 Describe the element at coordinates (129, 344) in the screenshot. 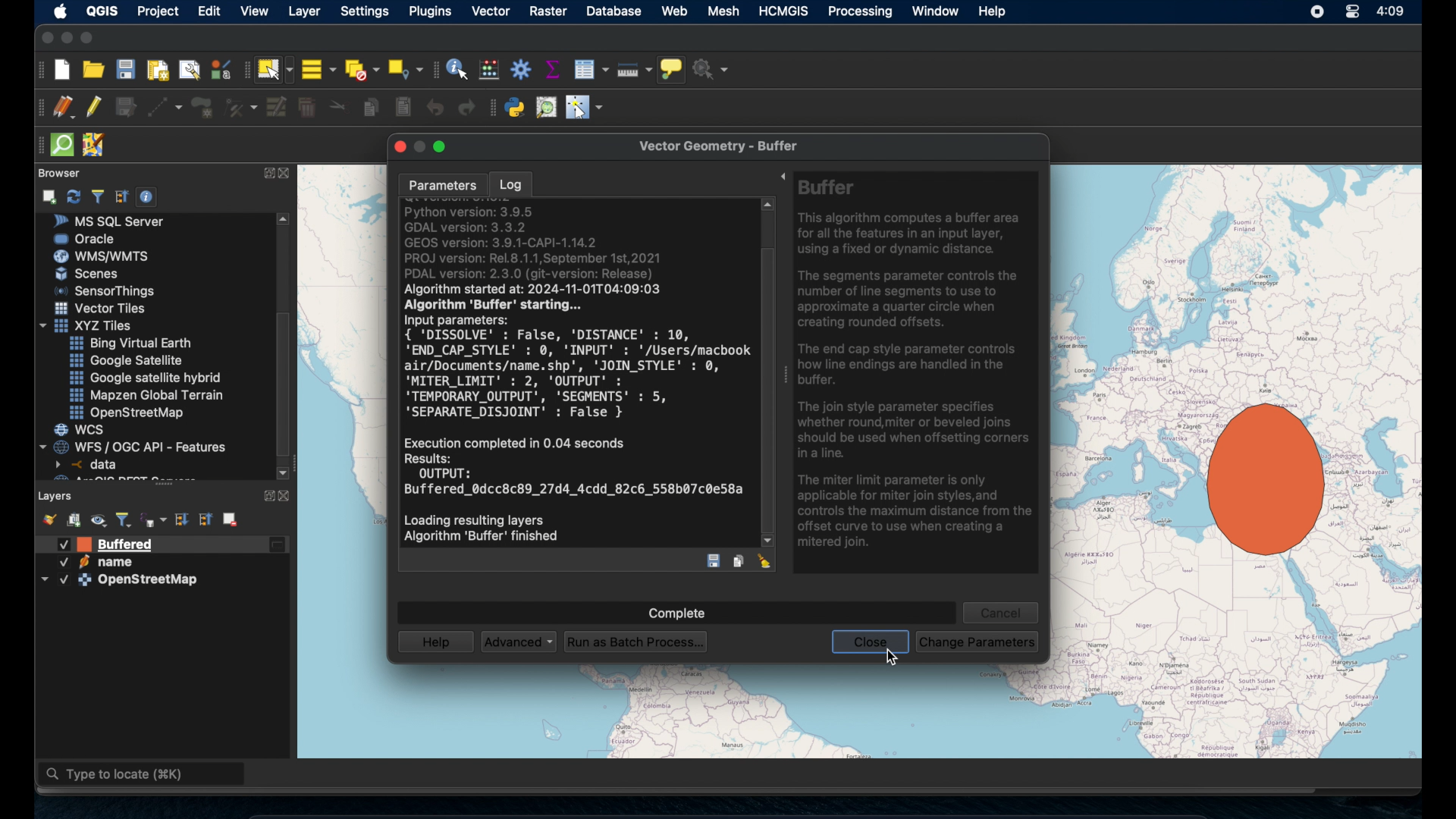

I see `bing virtual earth` at that location.